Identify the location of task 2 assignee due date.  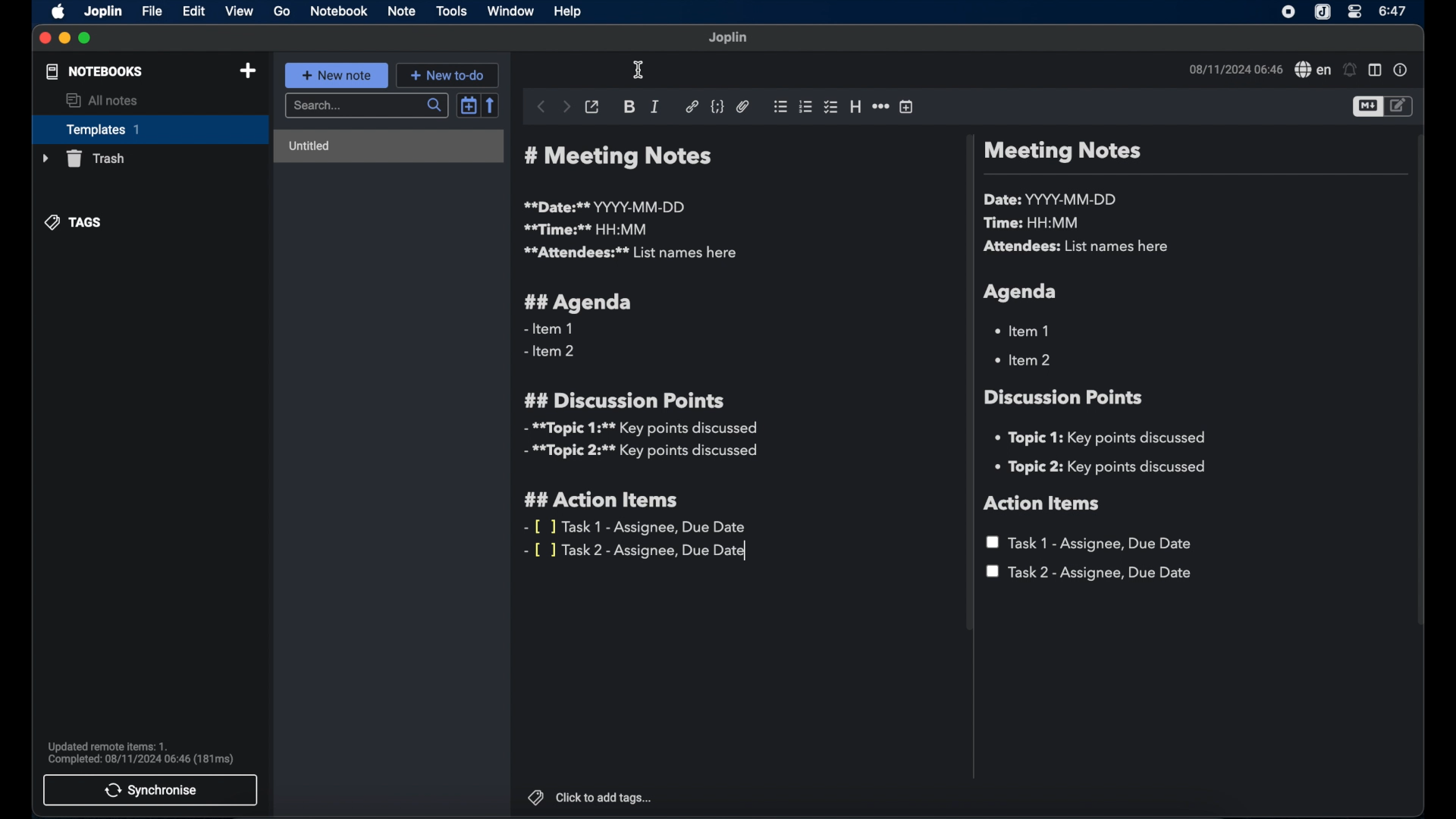
(1090, 573).